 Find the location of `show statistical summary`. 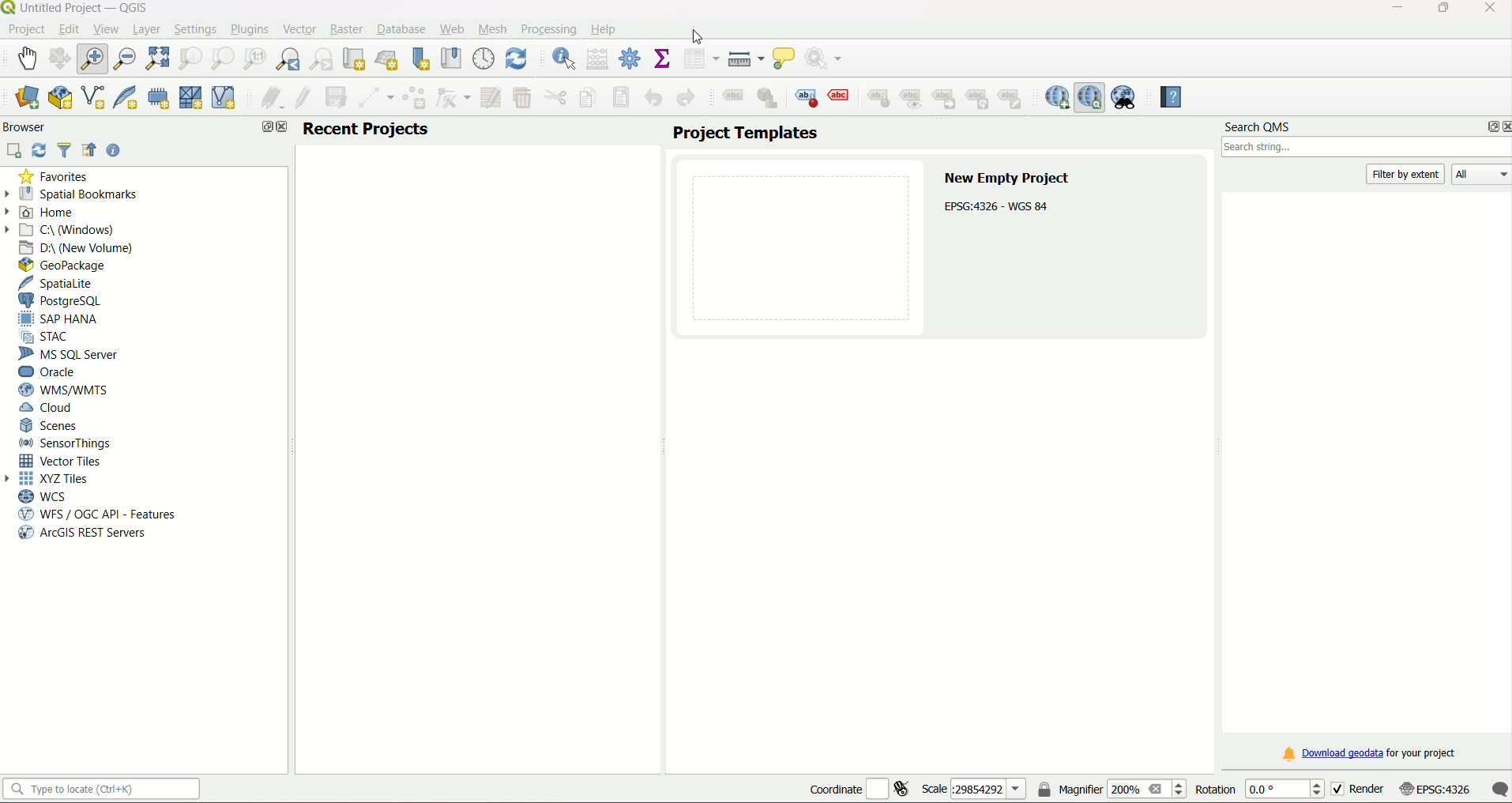

show statistical summary is located at coordinates (663, 59).